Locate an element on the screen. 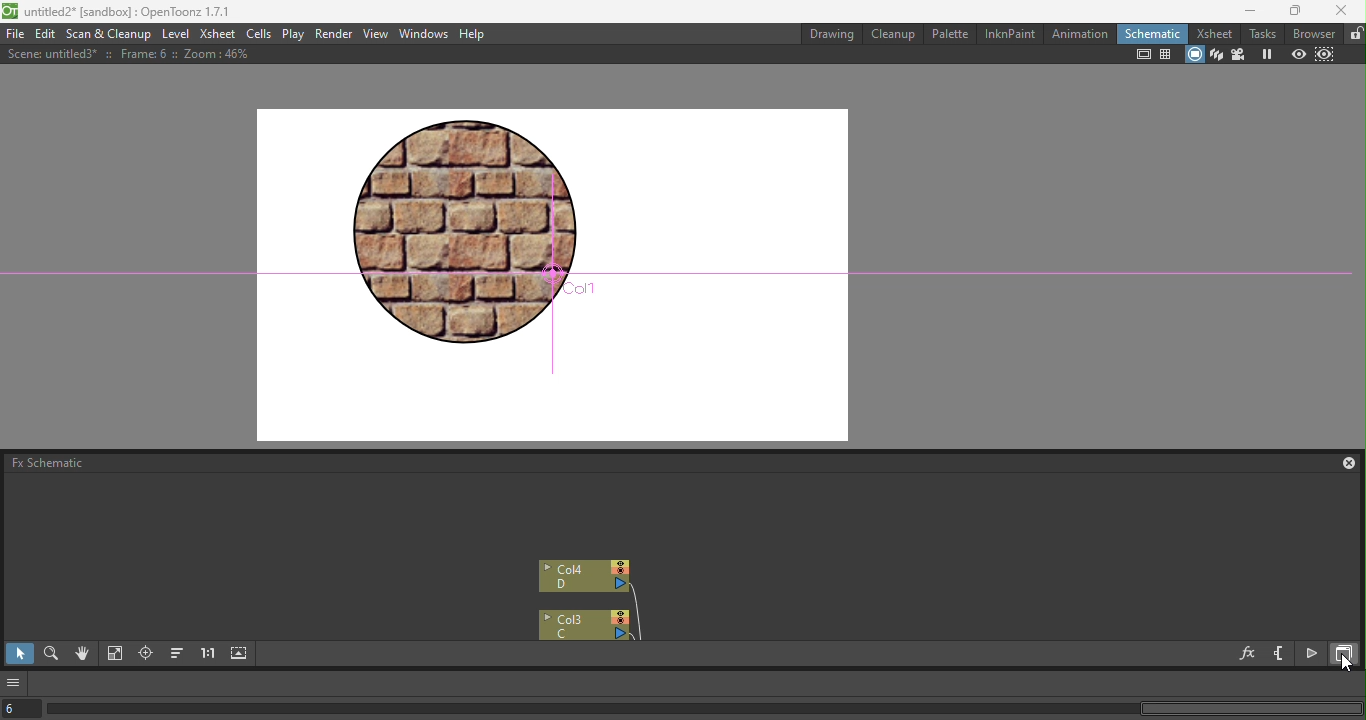 This screenshot has height=720, width=1366. Xsheet is located at coordinates (217, 34).